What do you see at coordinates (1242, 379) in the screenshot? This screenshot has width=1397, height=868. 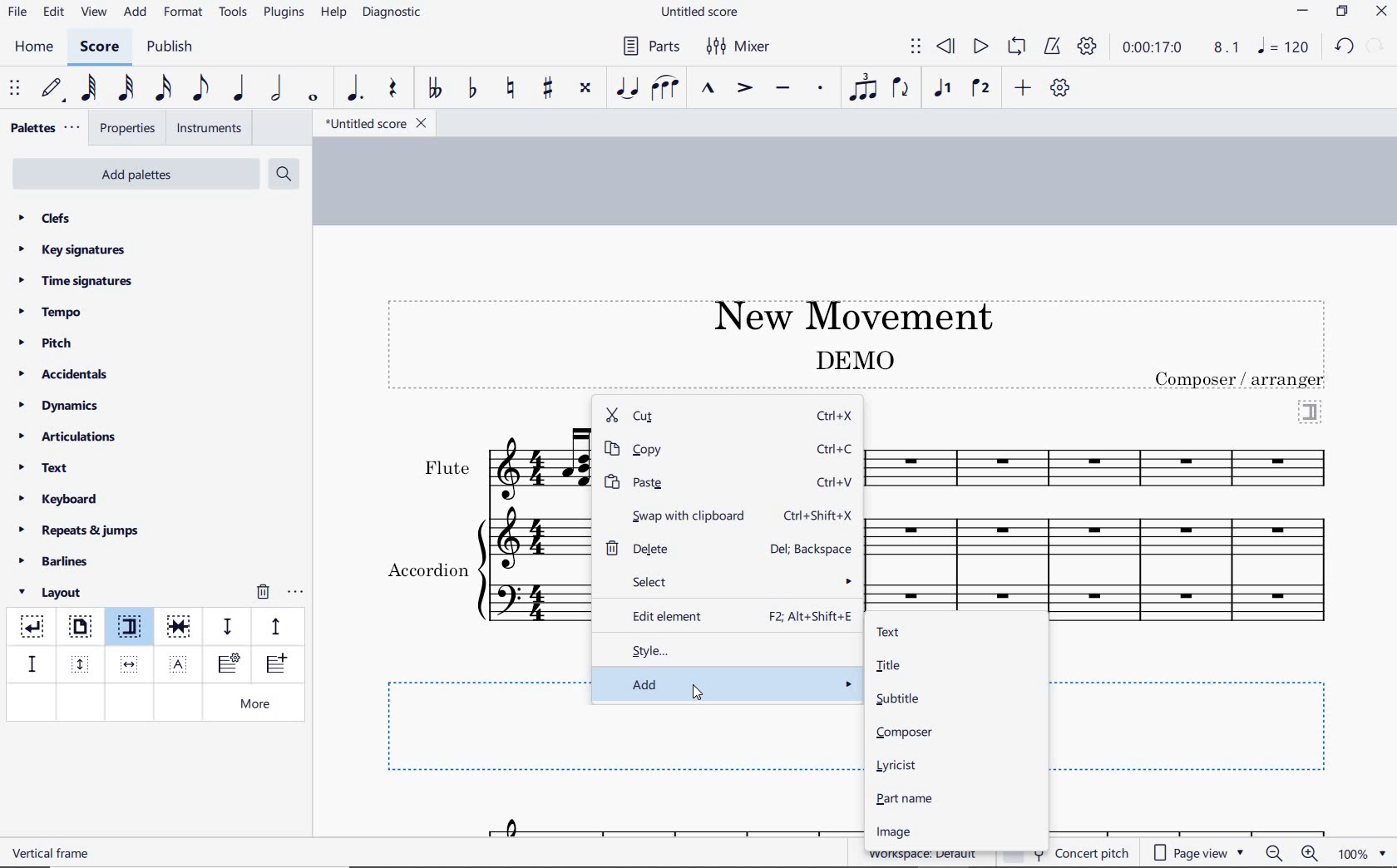 I see `text` at bounding box center [1242, 379].